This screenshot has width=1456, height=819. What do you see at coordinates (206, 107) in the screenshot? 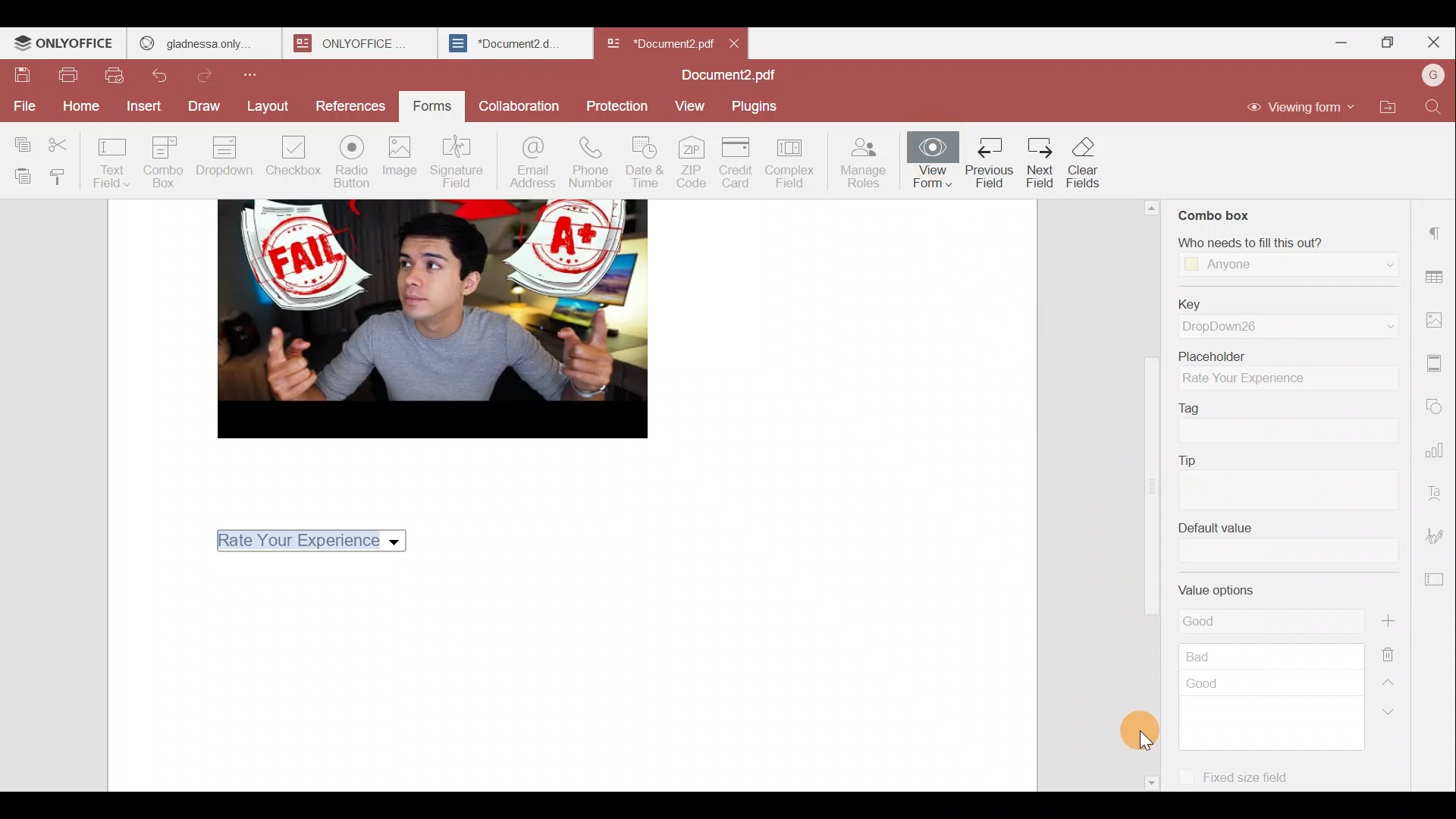
I see `Draw` at bounding box center [206, 107].